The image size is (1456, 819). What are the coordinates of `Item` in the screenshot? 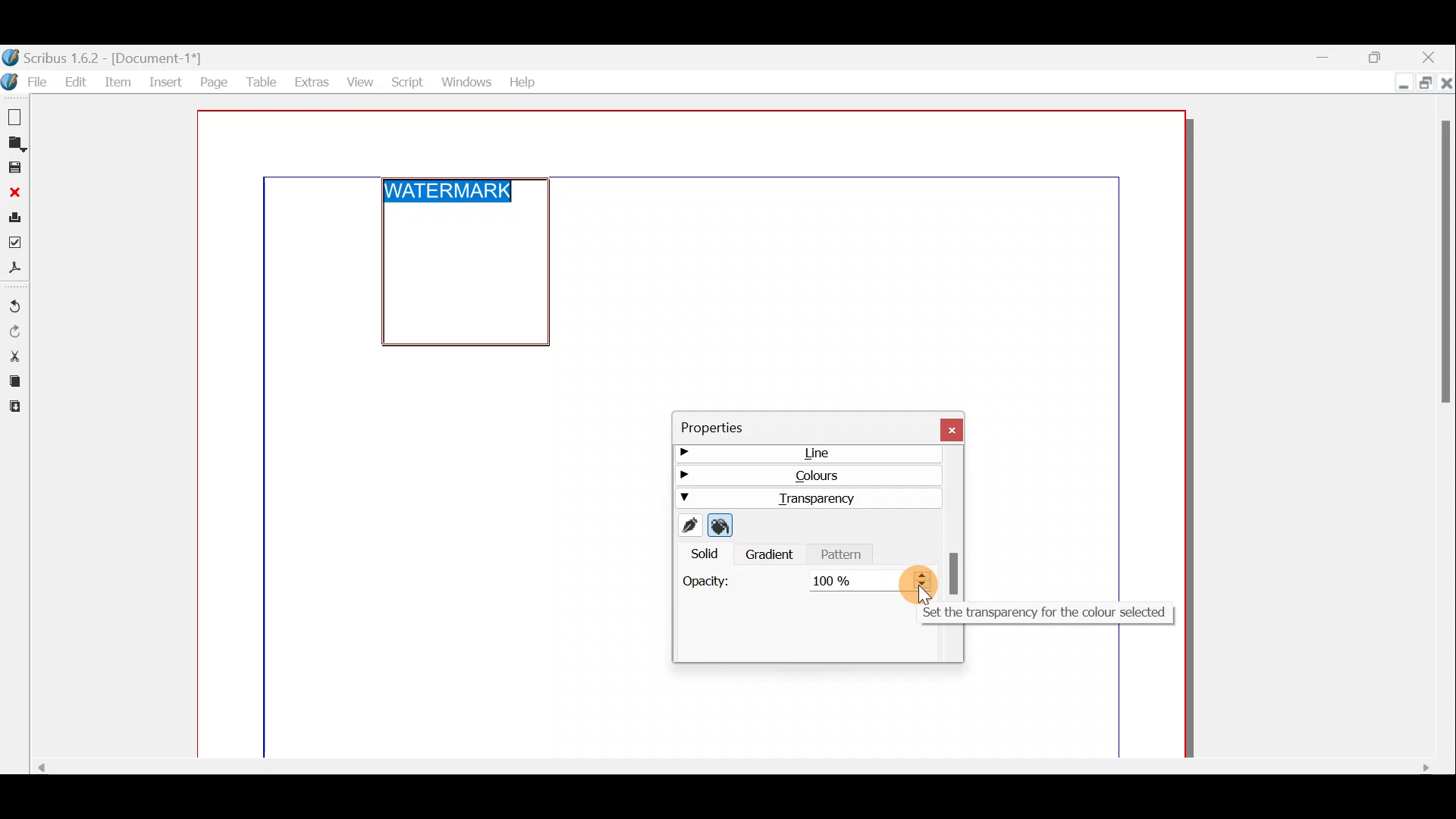 It's located at (121, 81).